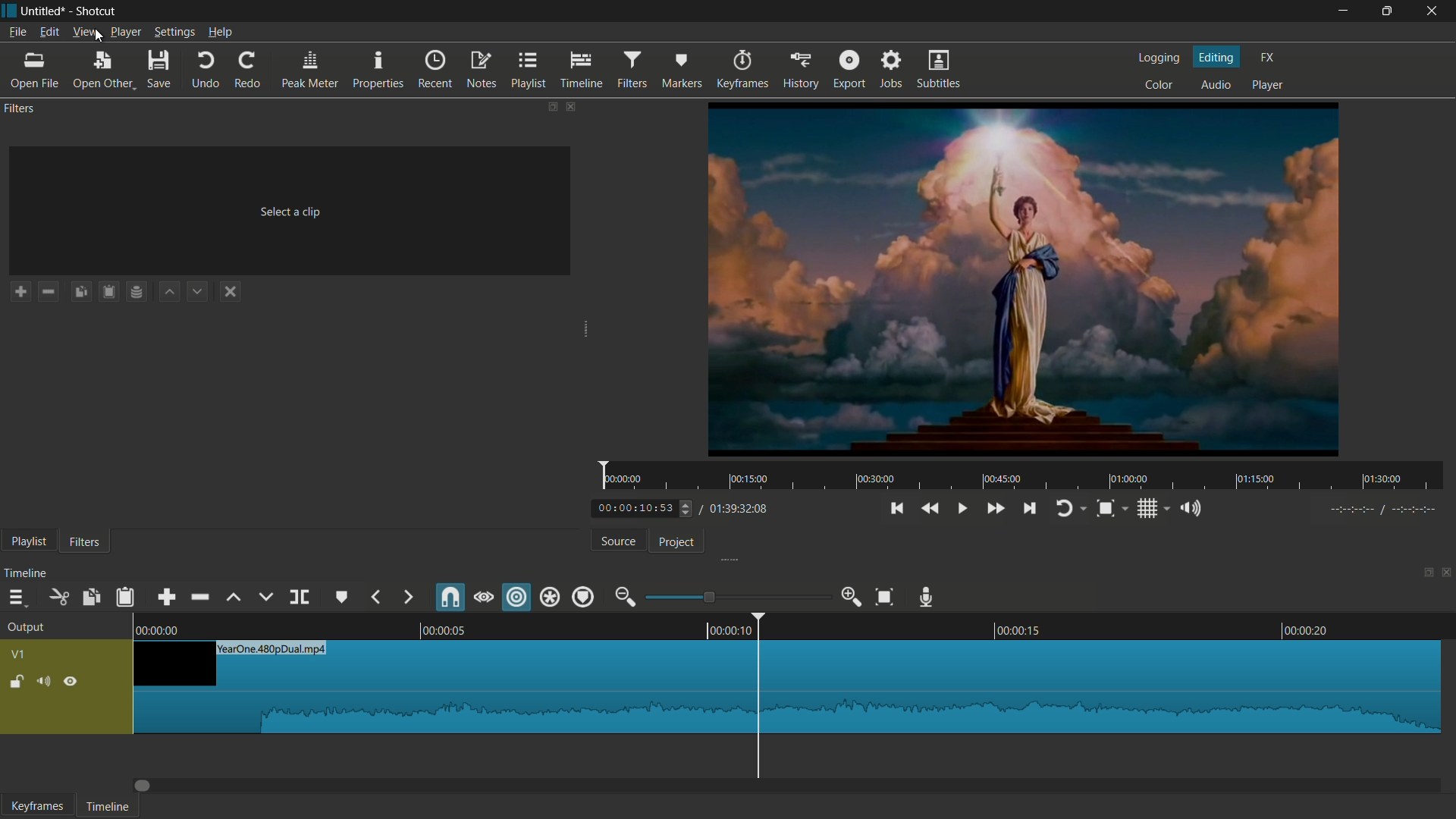  I want to click on record audio, so click(929, 598).